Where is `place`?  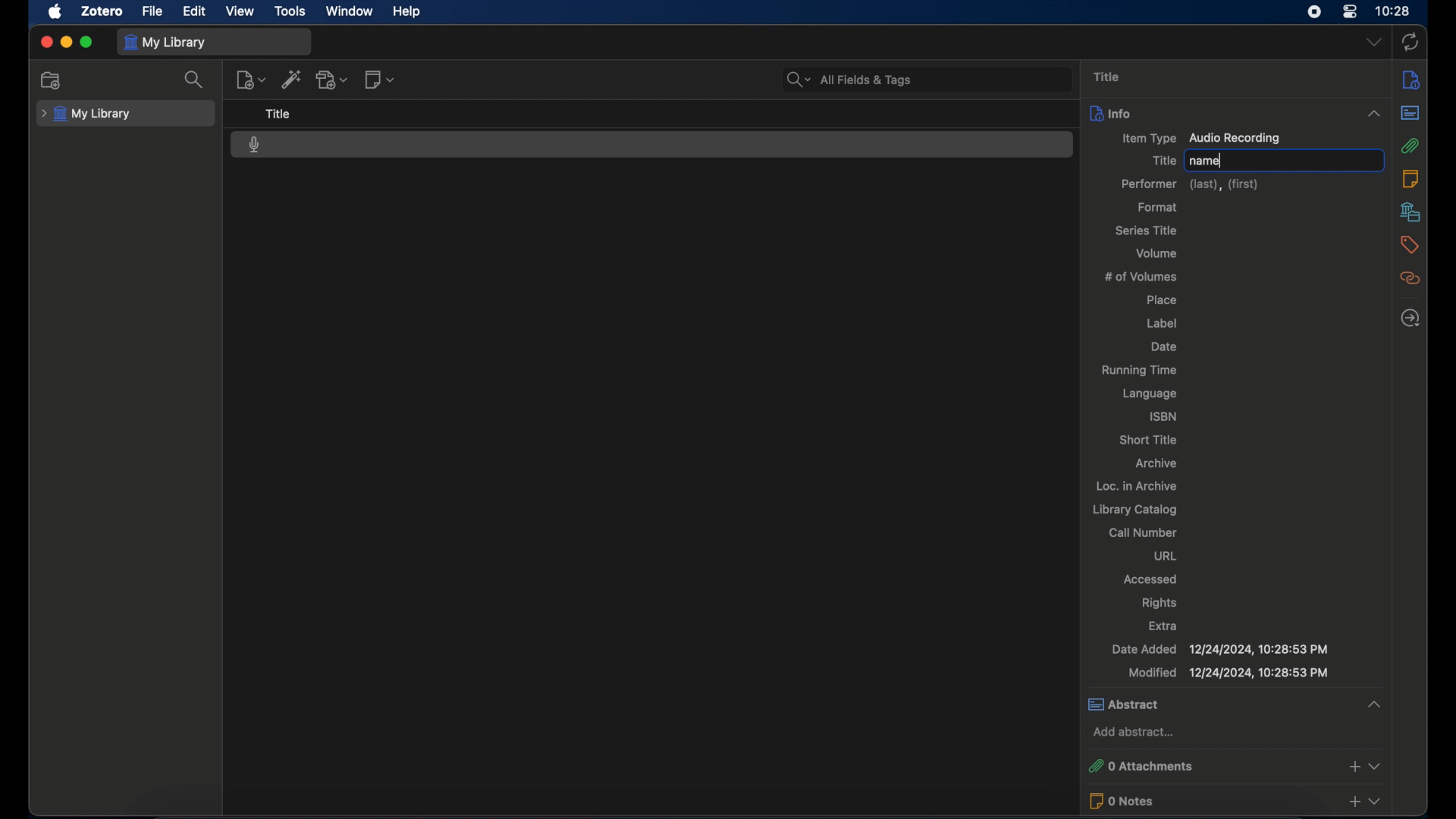 place is located at coordinates (1161, 301).